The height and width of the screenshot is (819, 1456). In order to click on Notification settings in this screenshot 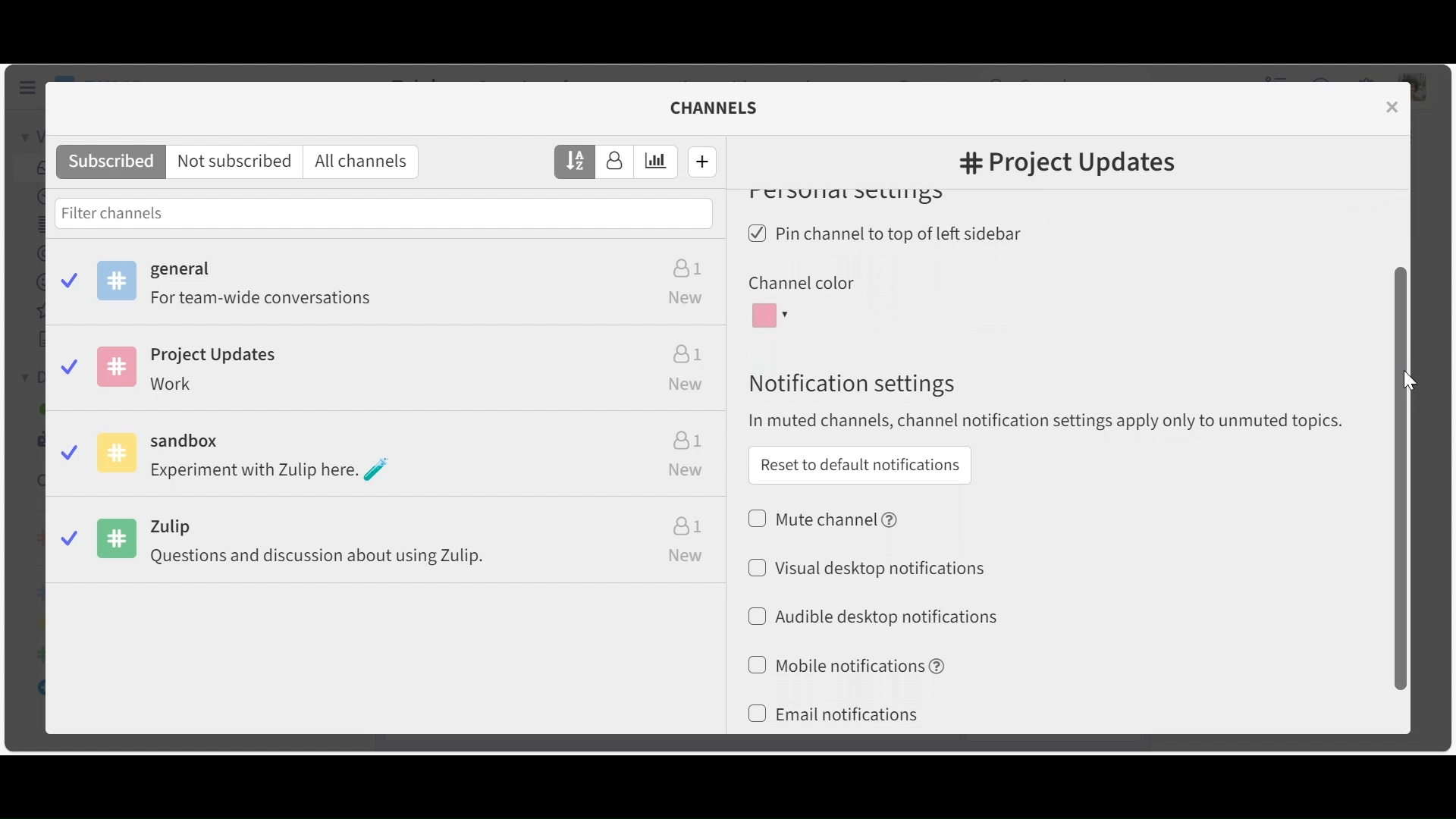, I will do `click(849, 384)`.